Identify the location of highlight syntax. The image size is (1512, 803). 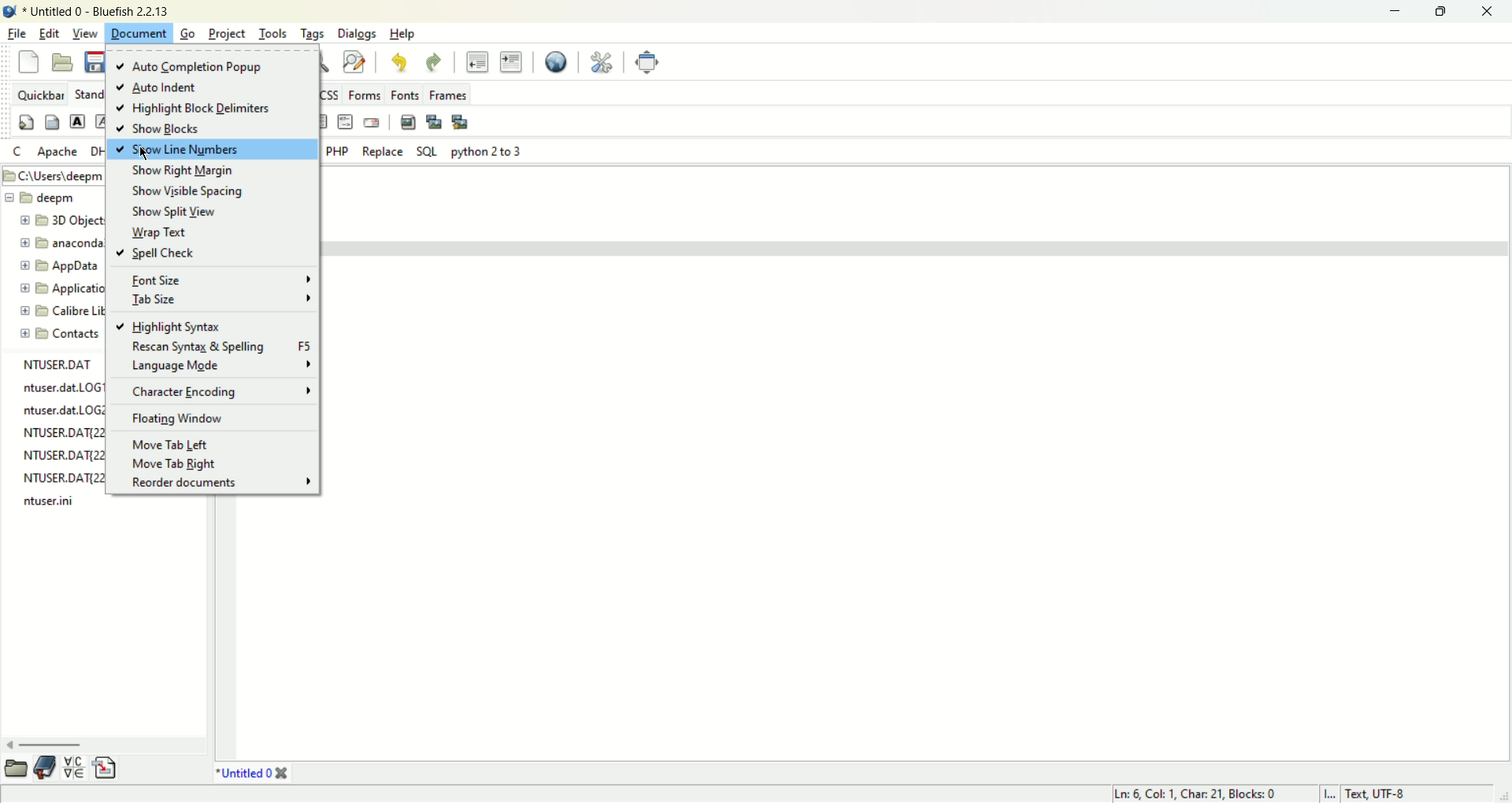
(168, 327).